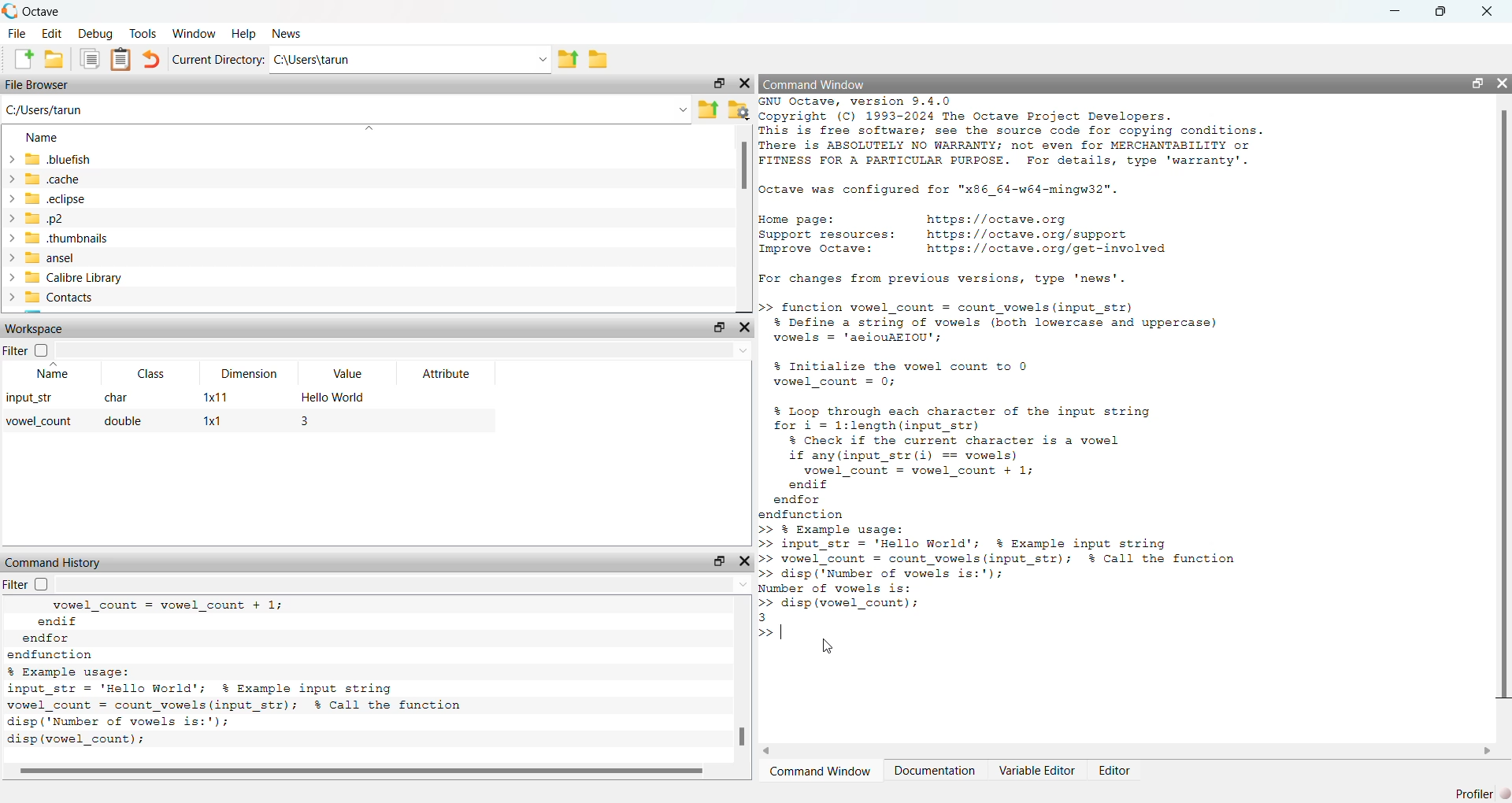 The width and height of the screenshot is (1512, 803). I want to click on Octave was configured for "x86_64-wé4-mingw32".

Home page: https://octave.org

Support resources:  https://octave.org/support
Improve Octave: https://octave.org/get-involved, so click(973, 219).